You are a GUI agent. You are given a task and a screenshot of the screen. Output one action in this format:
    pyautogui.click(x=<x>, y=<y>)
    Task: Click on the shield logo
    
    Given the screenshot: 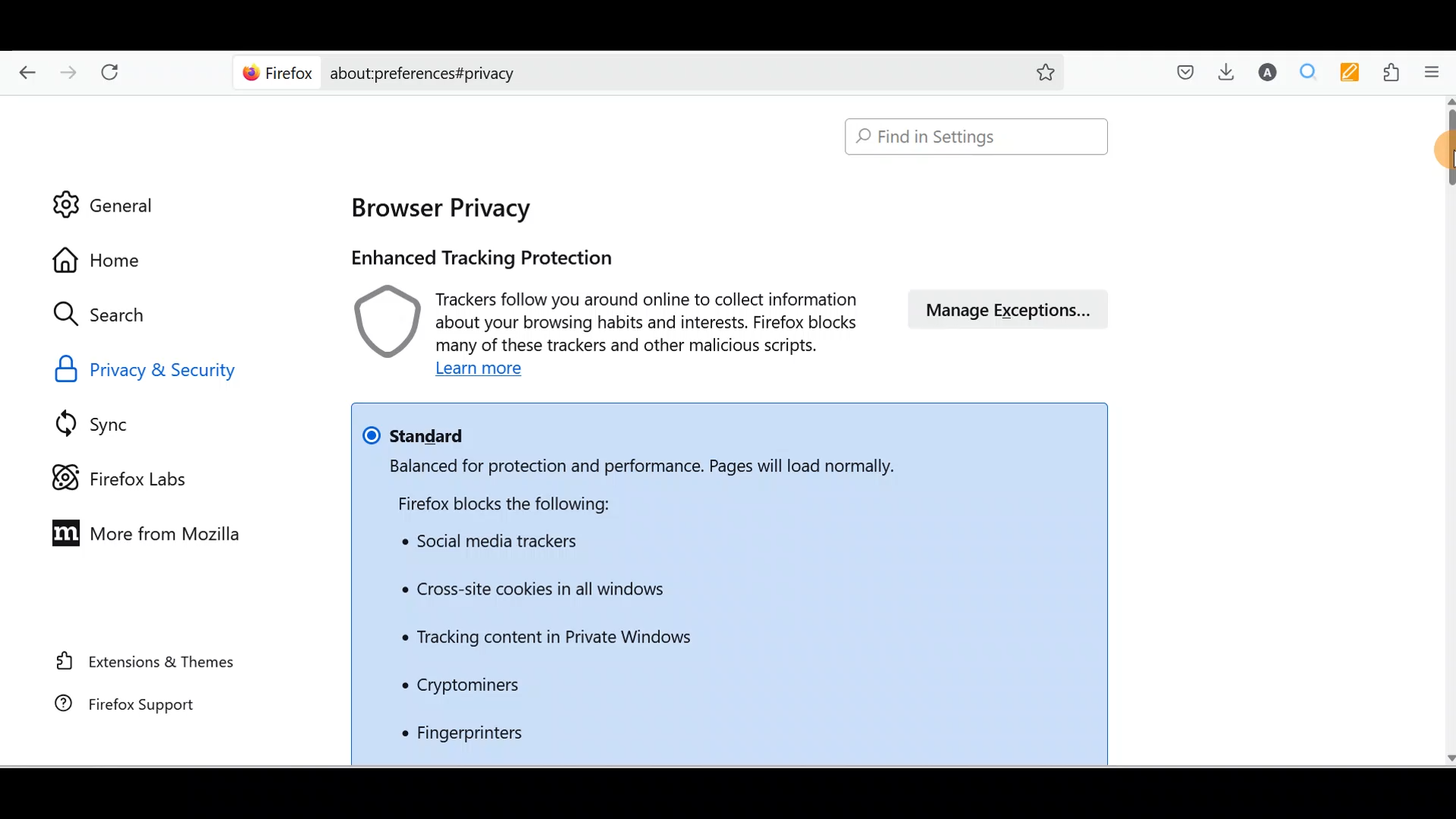 What is the action you would take?
    pyautogui.click(x=378, y=320)
    